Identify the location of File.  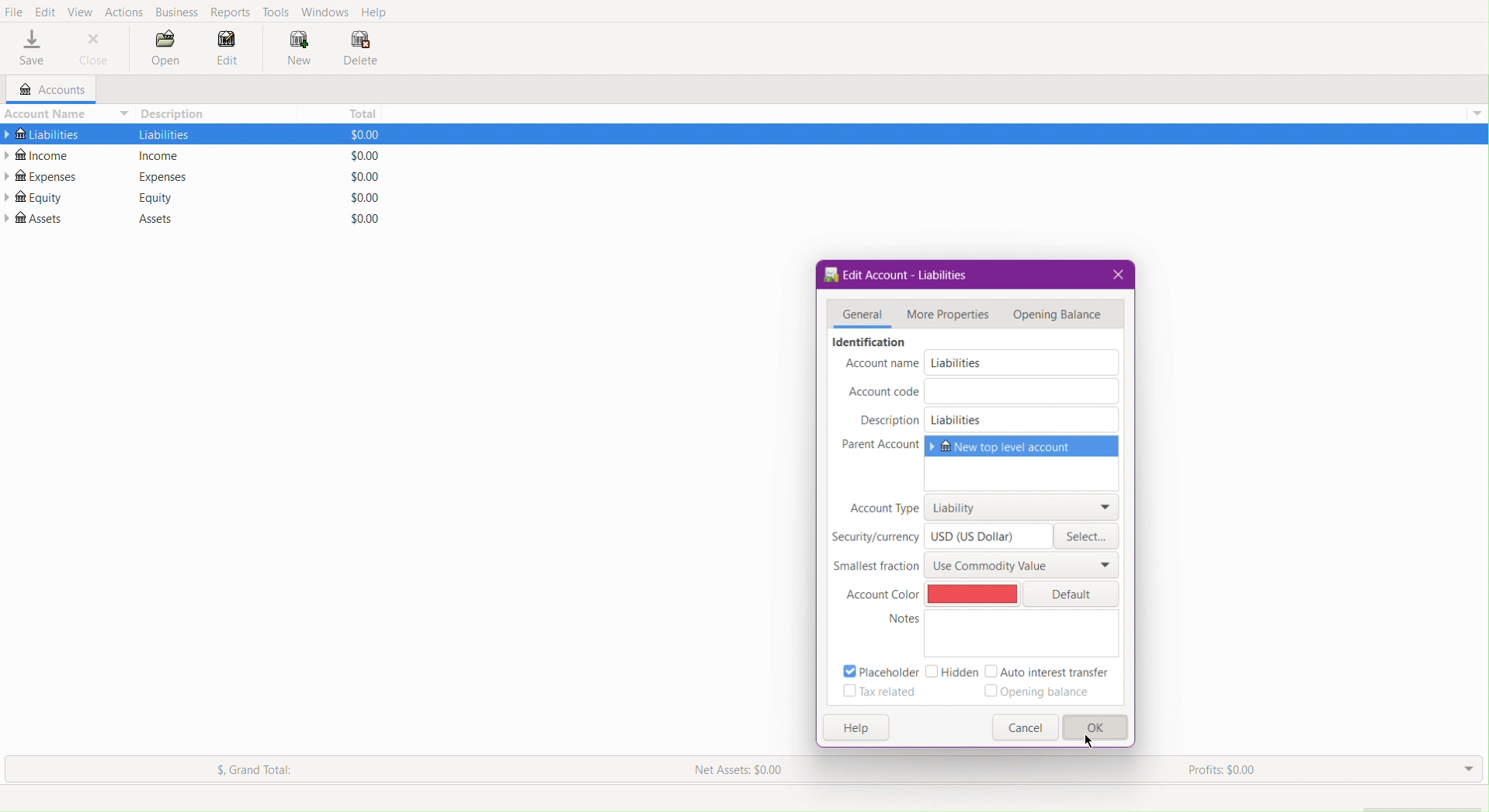
(14, 12).